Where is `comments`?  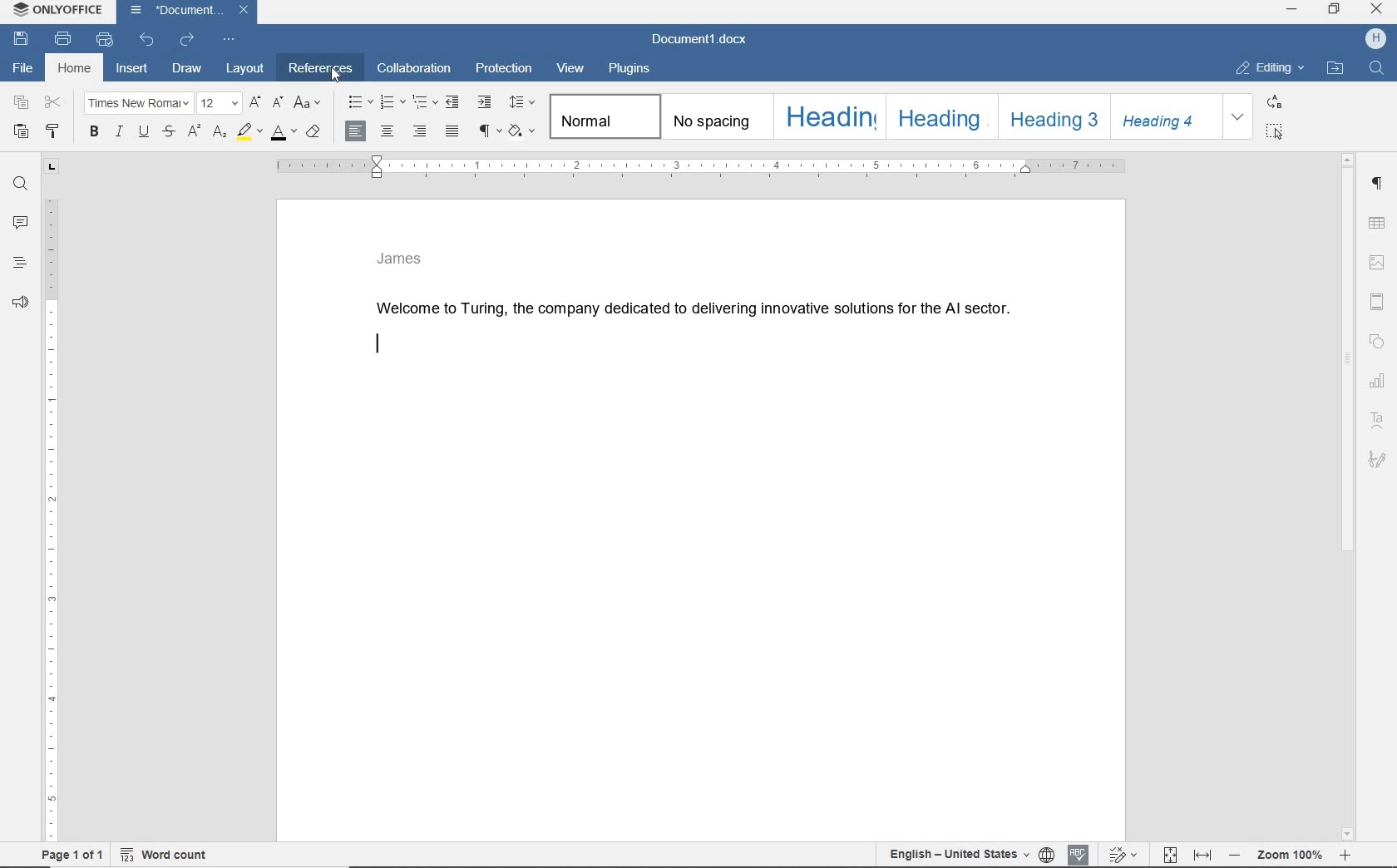 comments is located at coordinates (22, 223).